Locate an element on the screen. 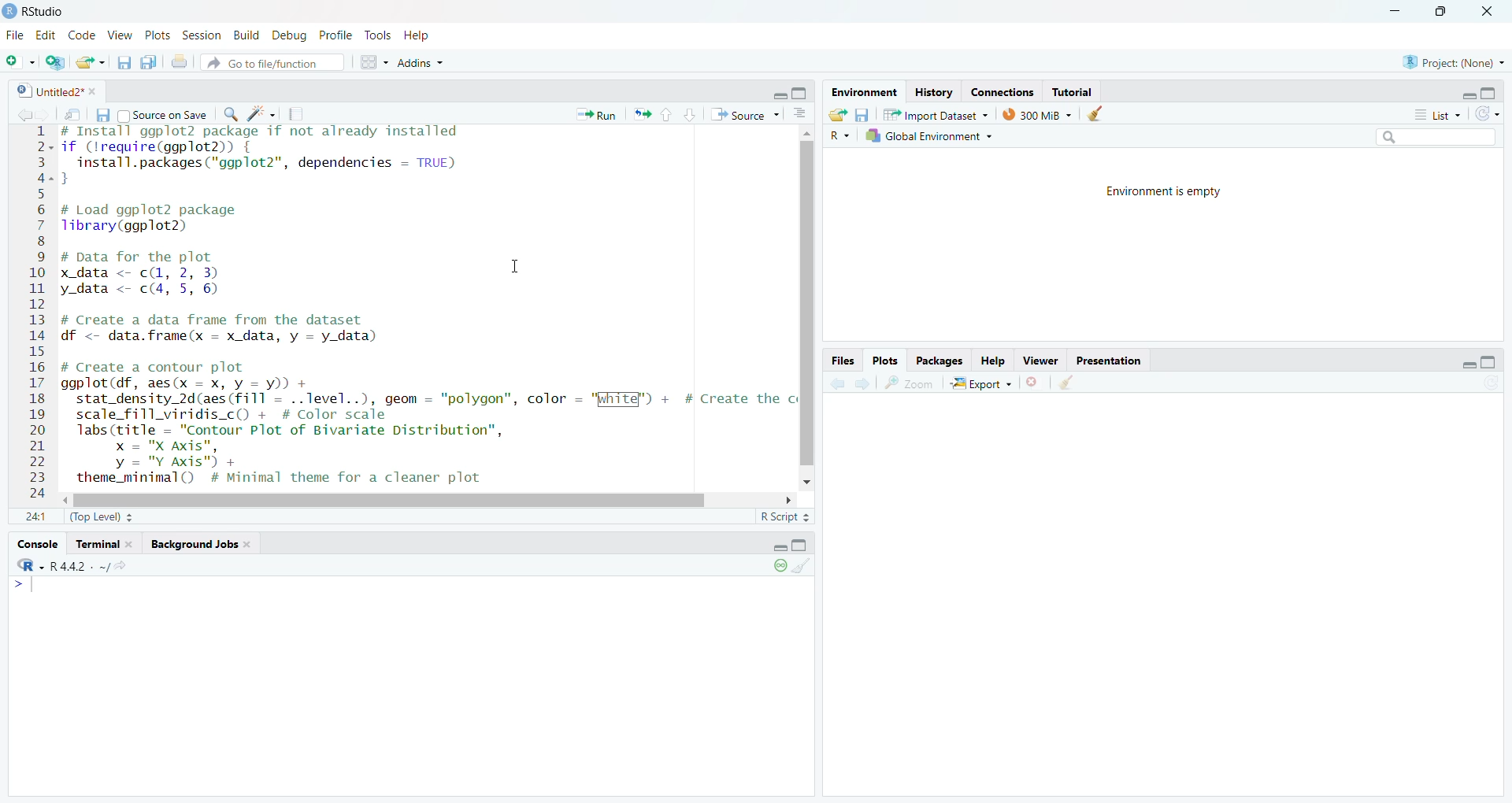  console is located at coordinates (39, 547).